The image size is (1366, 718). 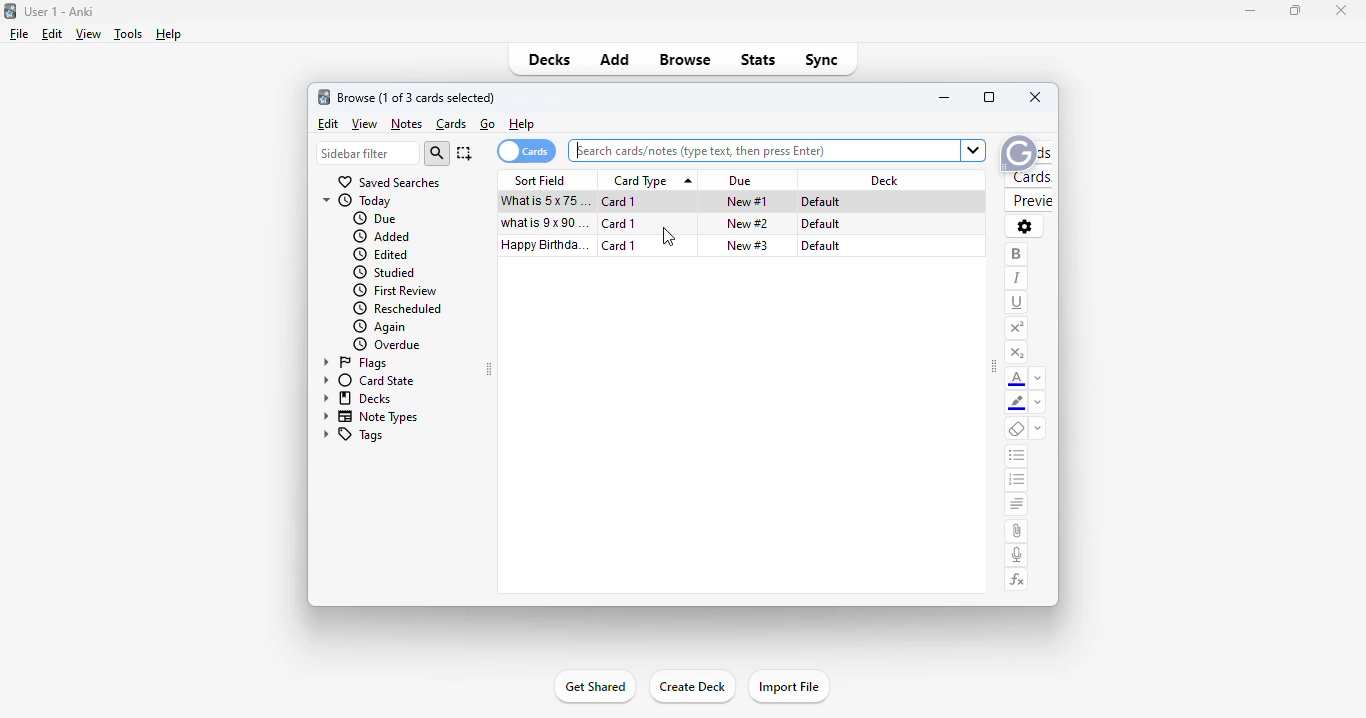 I want to click on browse (1 of 3 cards selected), so click(x=416, y=97).